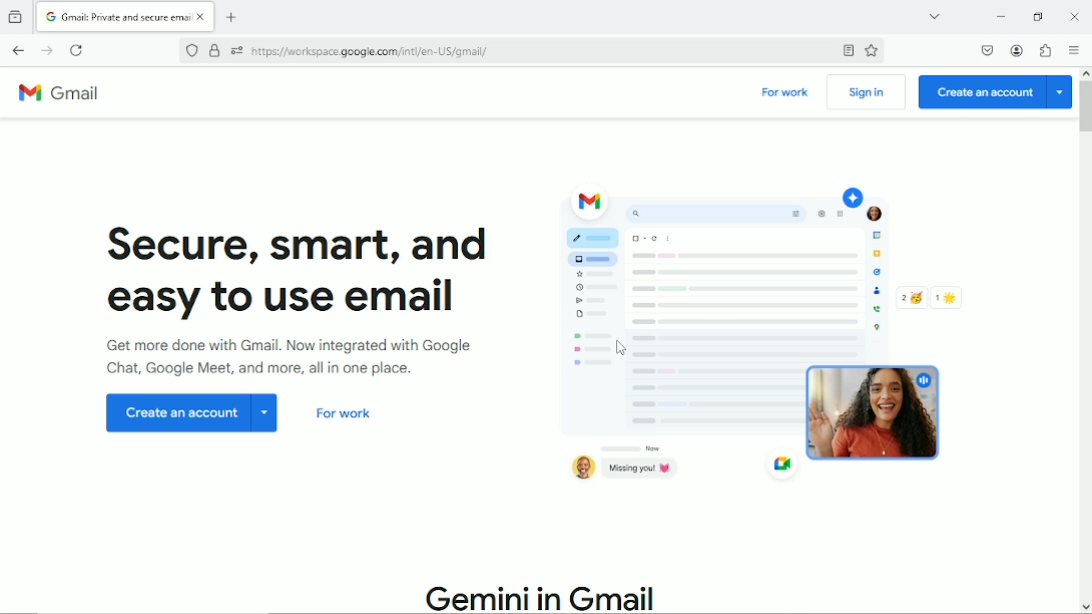 This screenshot has height=614, width=1092. Describe the element at coordinates (193, 415) in the screenshot. I see `Craete an account` at that location.